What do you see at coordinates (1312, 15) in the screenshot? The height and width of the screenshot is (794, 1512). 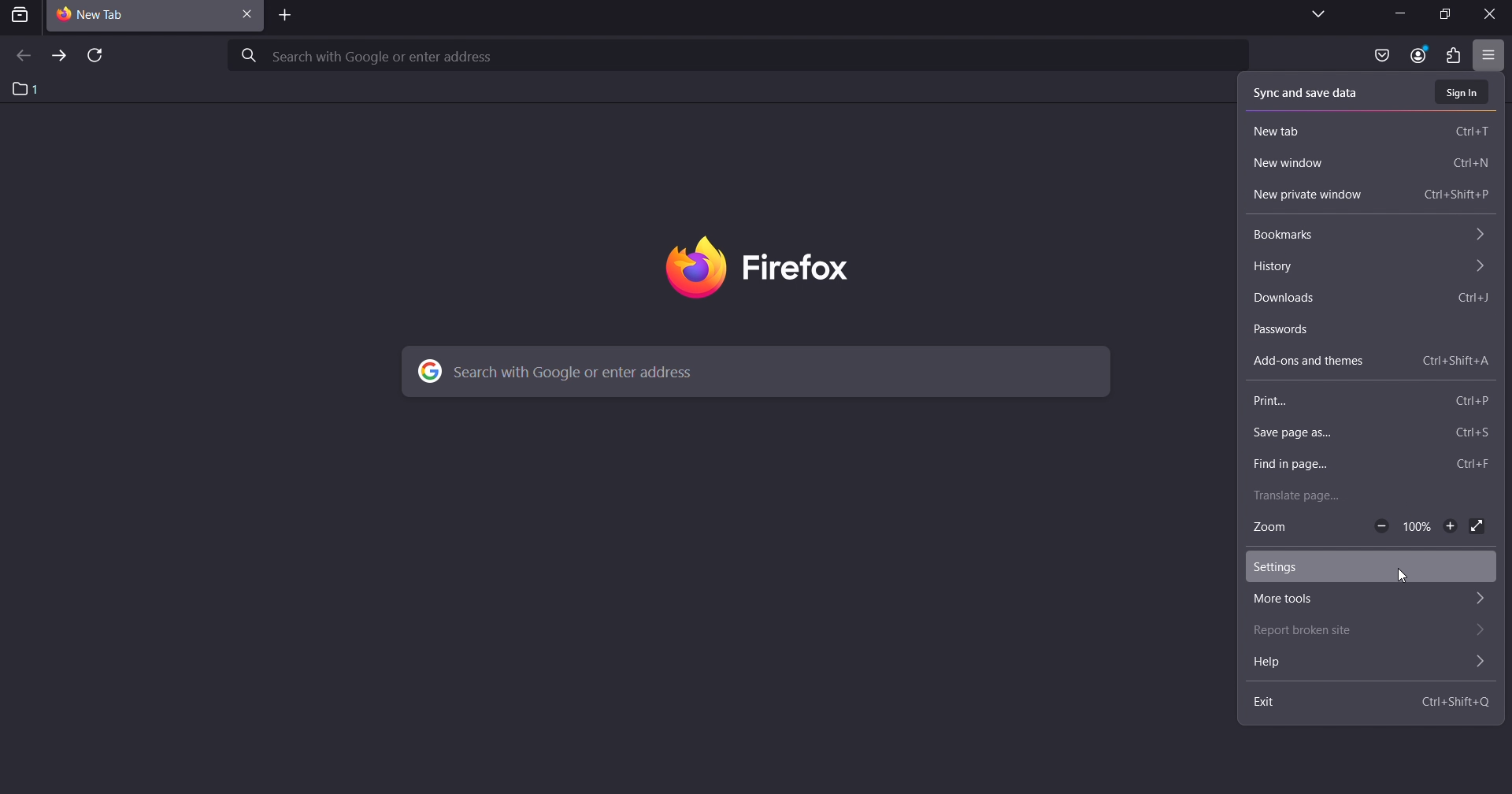 I see `list all tabs` at bounding box center [1312, 15].